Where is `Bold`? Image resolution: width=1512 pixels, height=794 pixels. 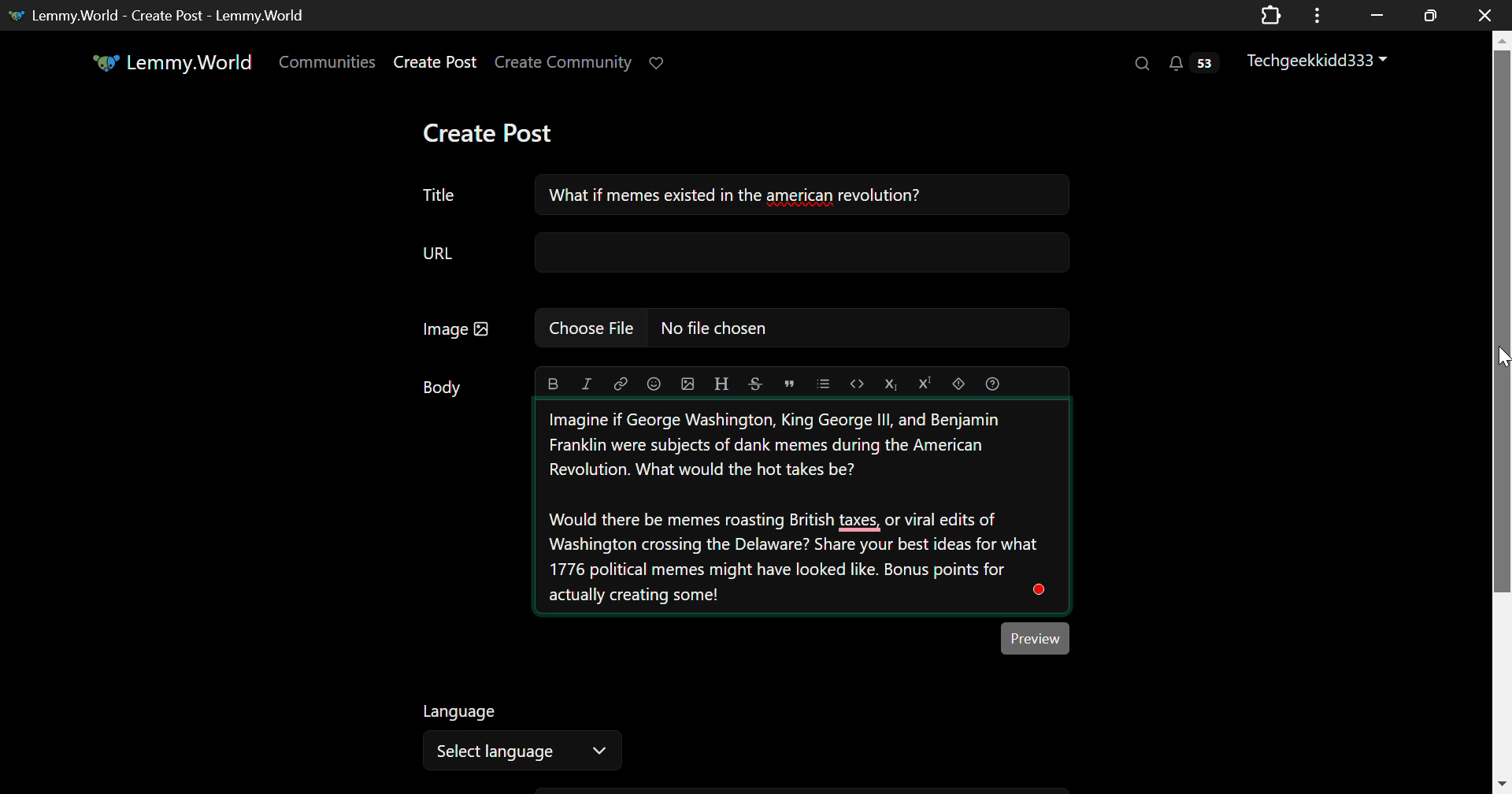 Bold is located at coordinates (551, 383).